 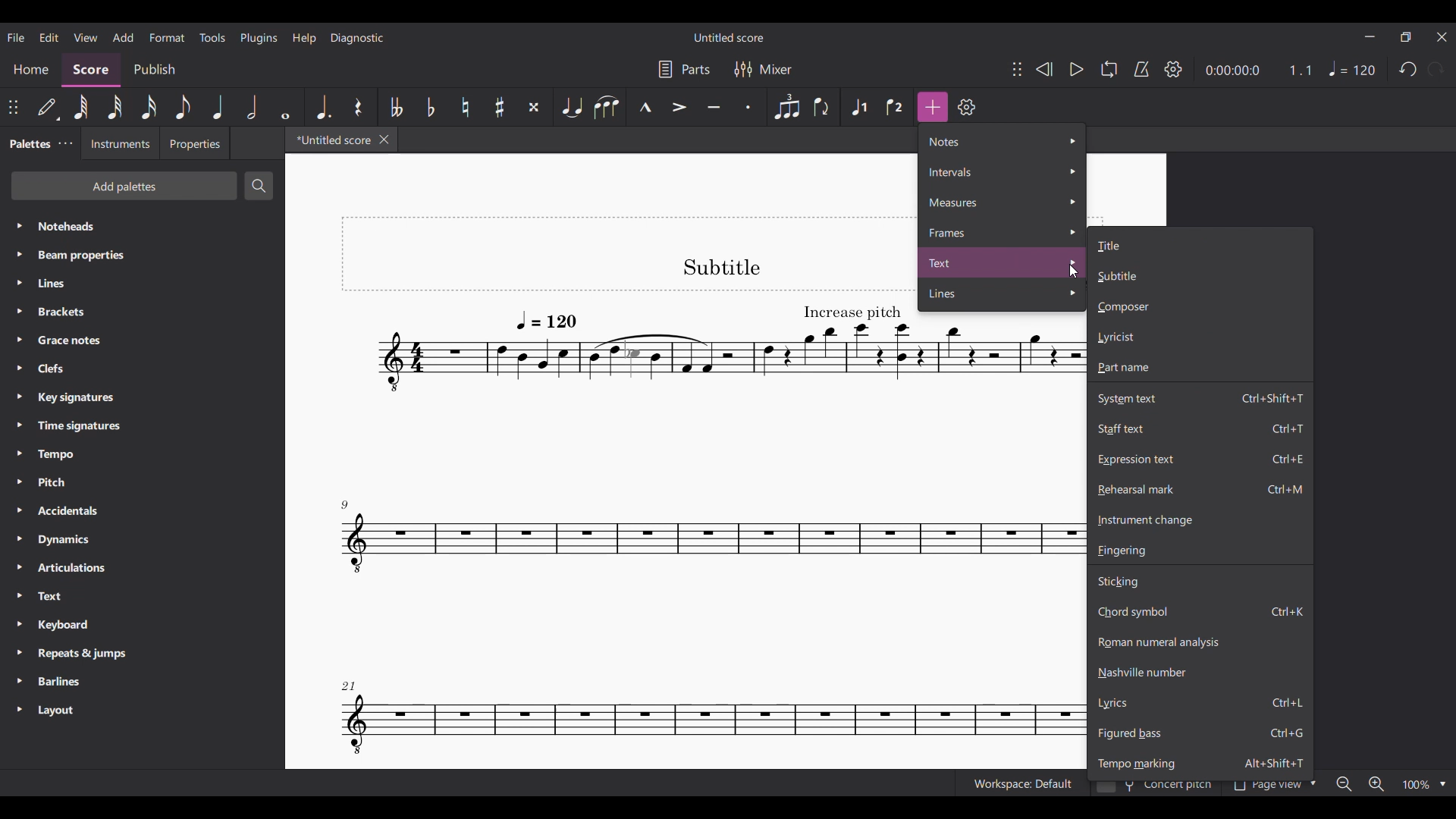 What do you see at coordinates (1200, 702) in the screenshot?
I see `Lyrics` at bounding box center [1200, 702].